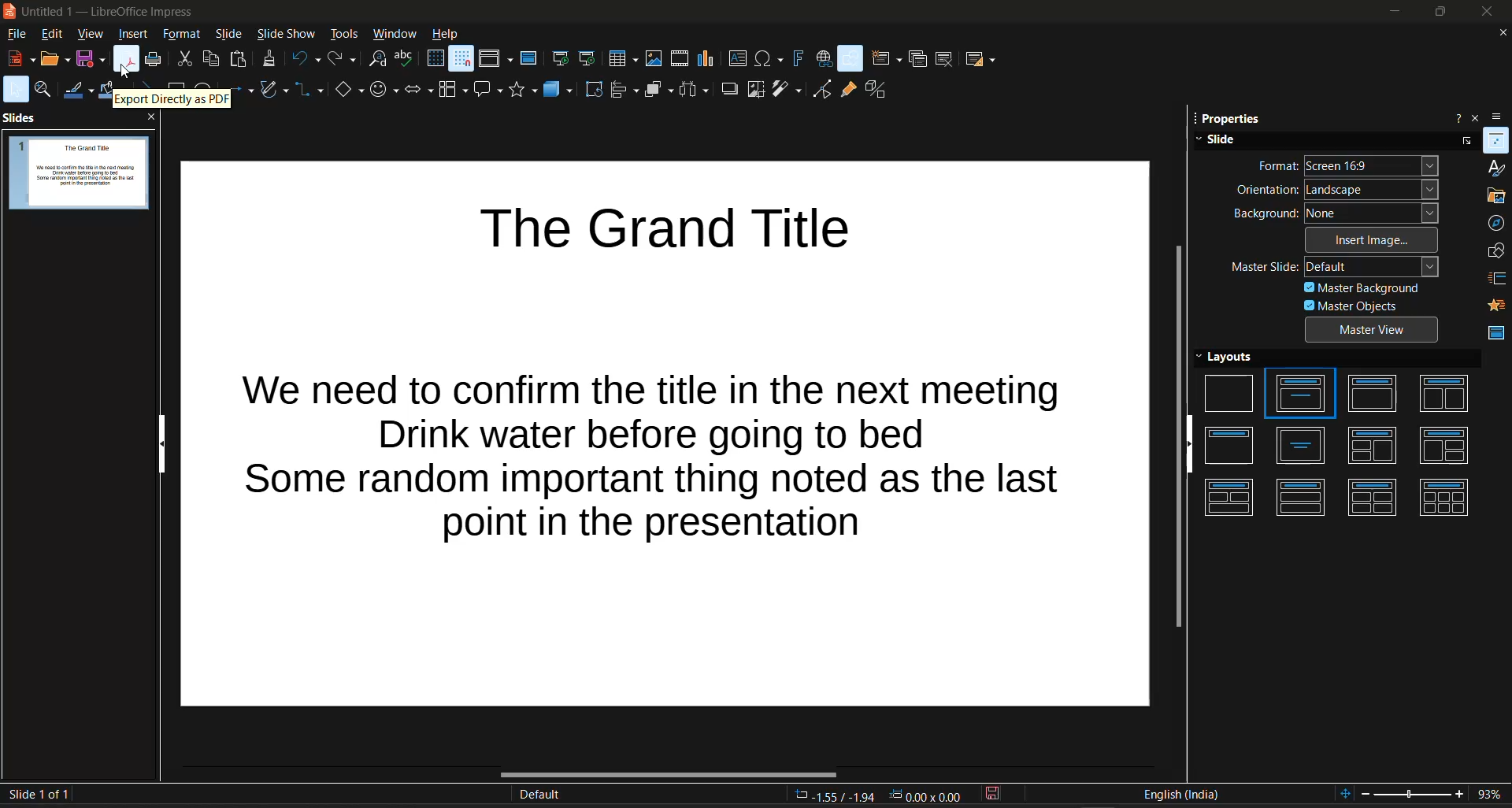 Image resolution: width=1512 pixels, height=808 pixels. What do you see at coordinates (705, 59) in the screenshot?
I see `insert chart` at bounding box center [705, 59].